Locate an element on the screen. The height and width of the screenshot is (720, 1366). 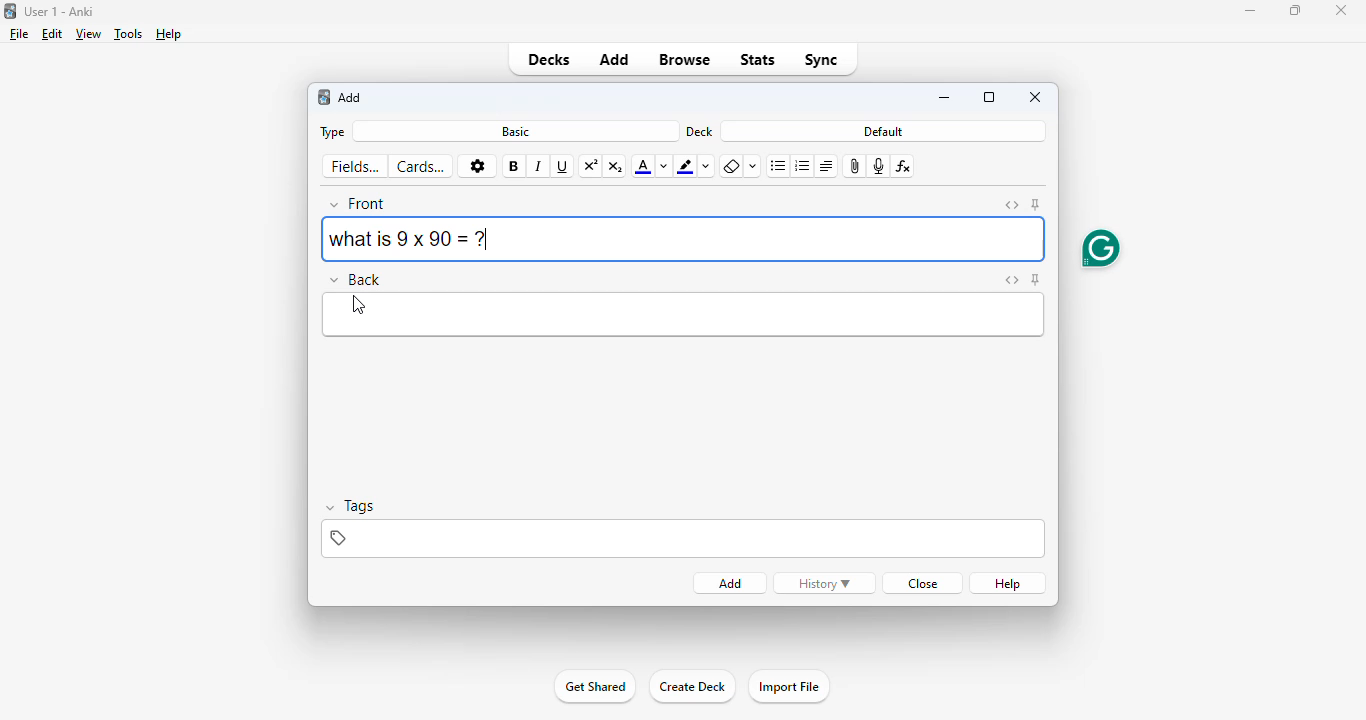
subscript is located at coordinates (616, 166).